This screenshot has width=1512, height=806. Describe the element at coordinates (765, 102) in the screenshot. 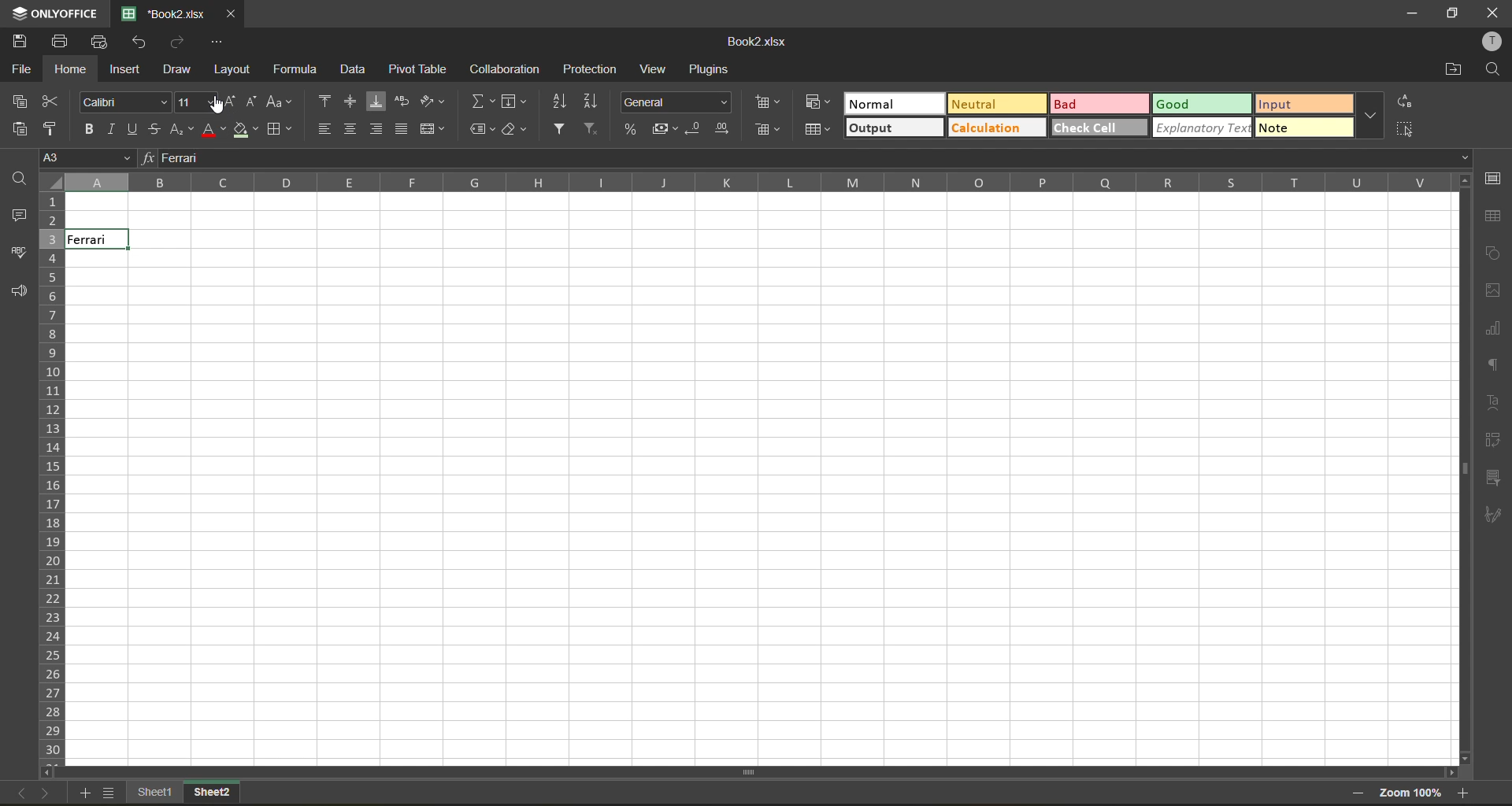

I see `insert cells` at that location.